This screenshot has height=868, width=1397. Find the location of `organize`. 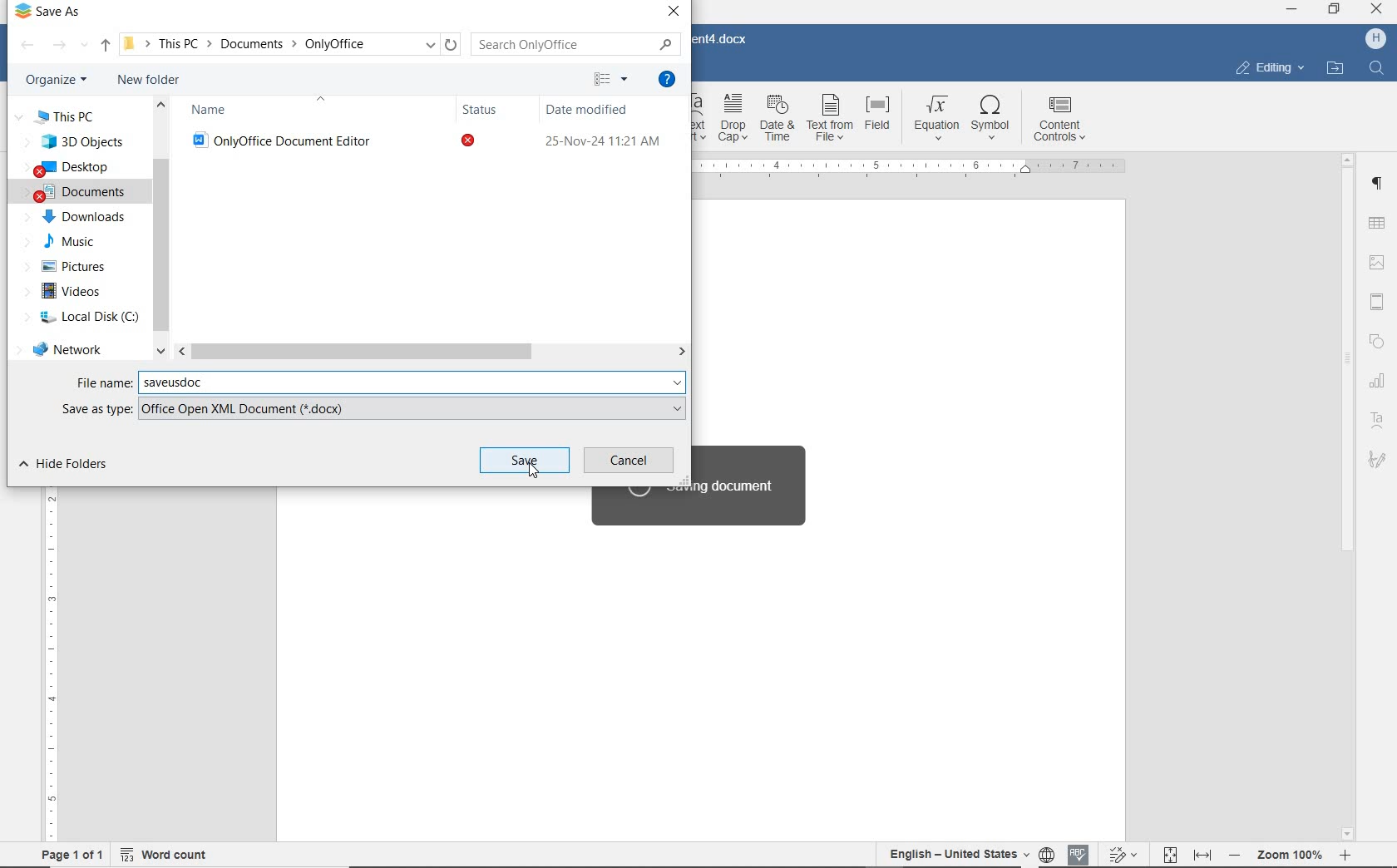

organize is located at coordinates (52, 81).